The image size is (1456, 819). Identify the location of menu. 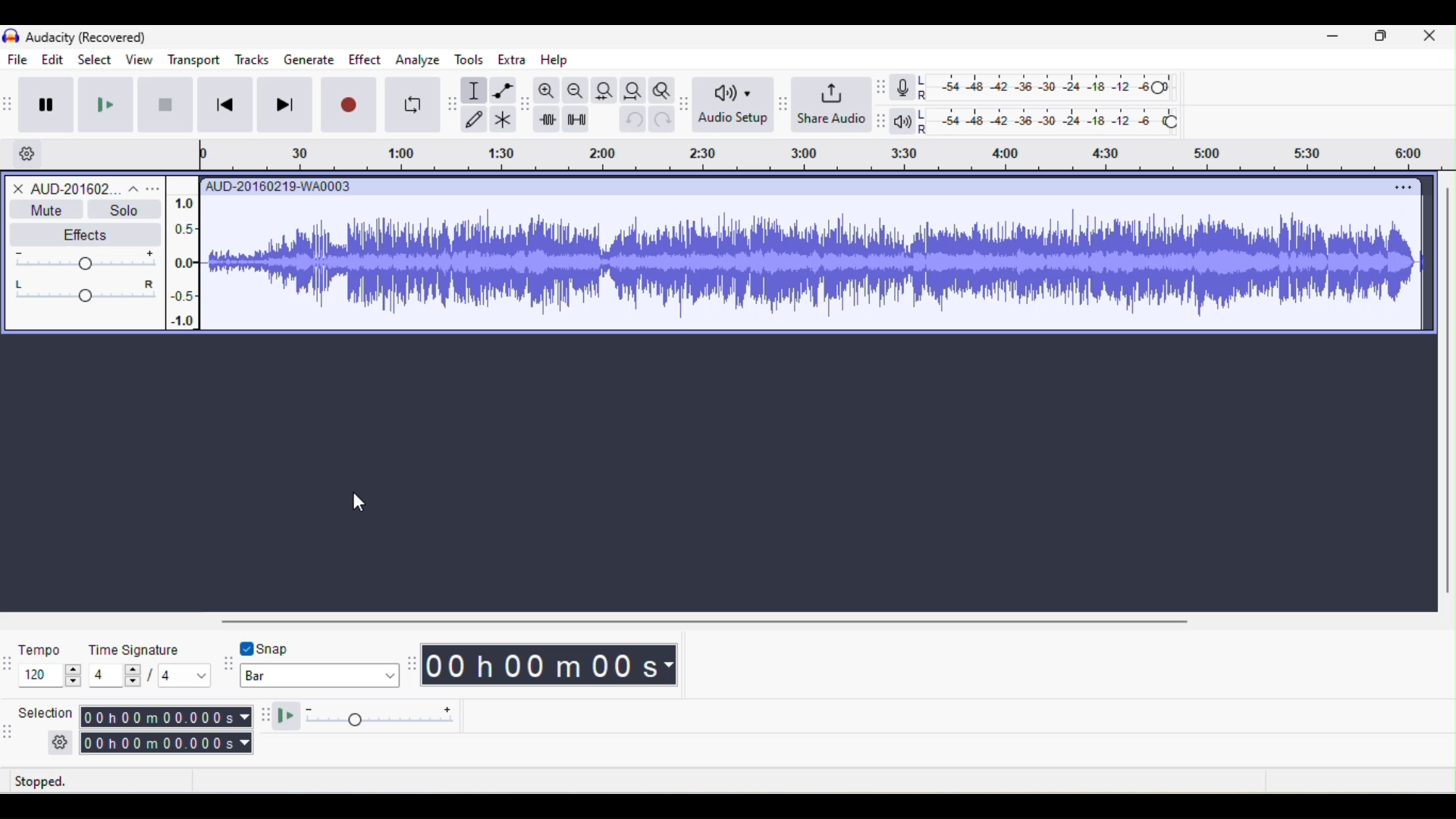
(1404, 188).